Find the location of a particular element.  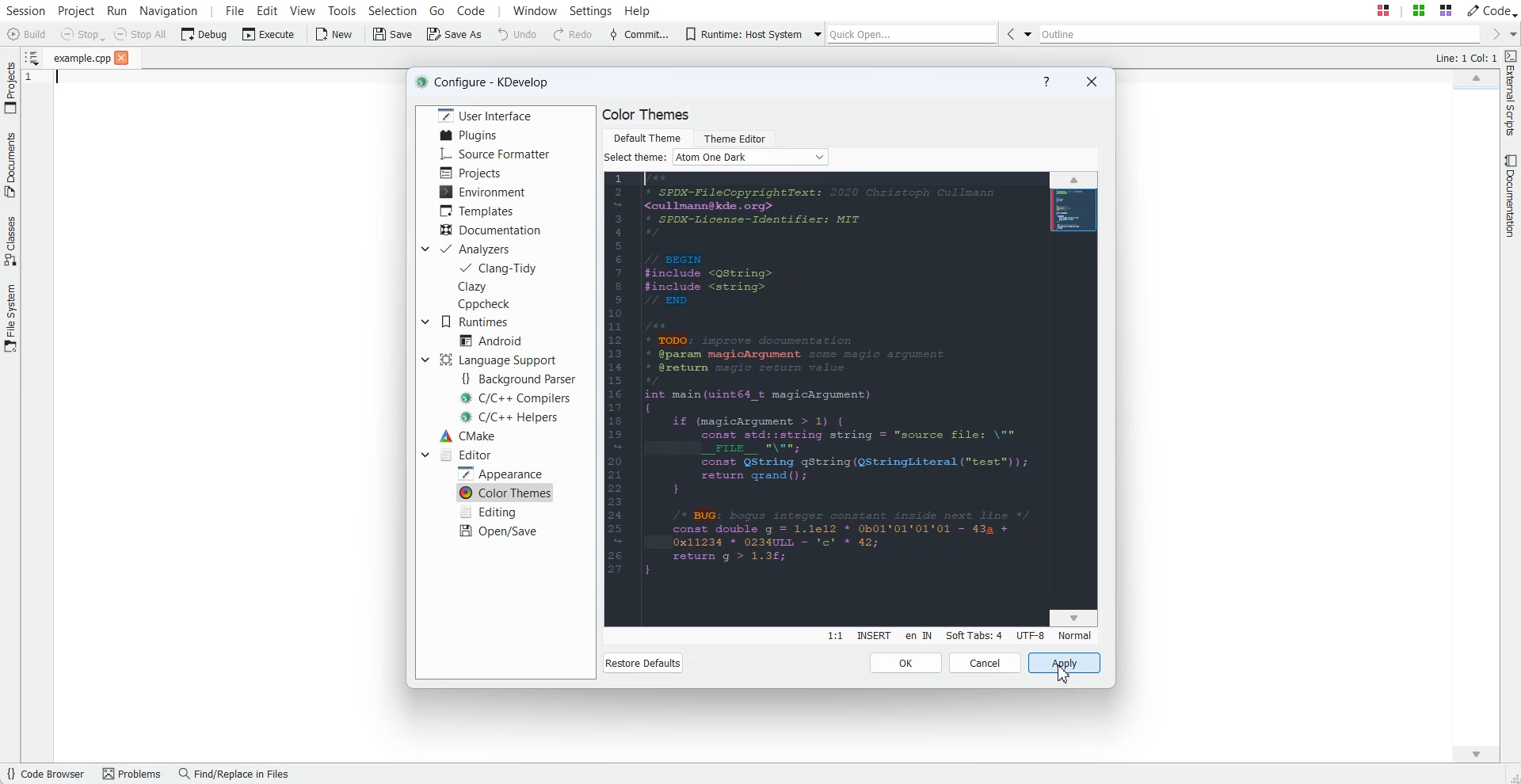

Redo is located at coordinates (574, 35).